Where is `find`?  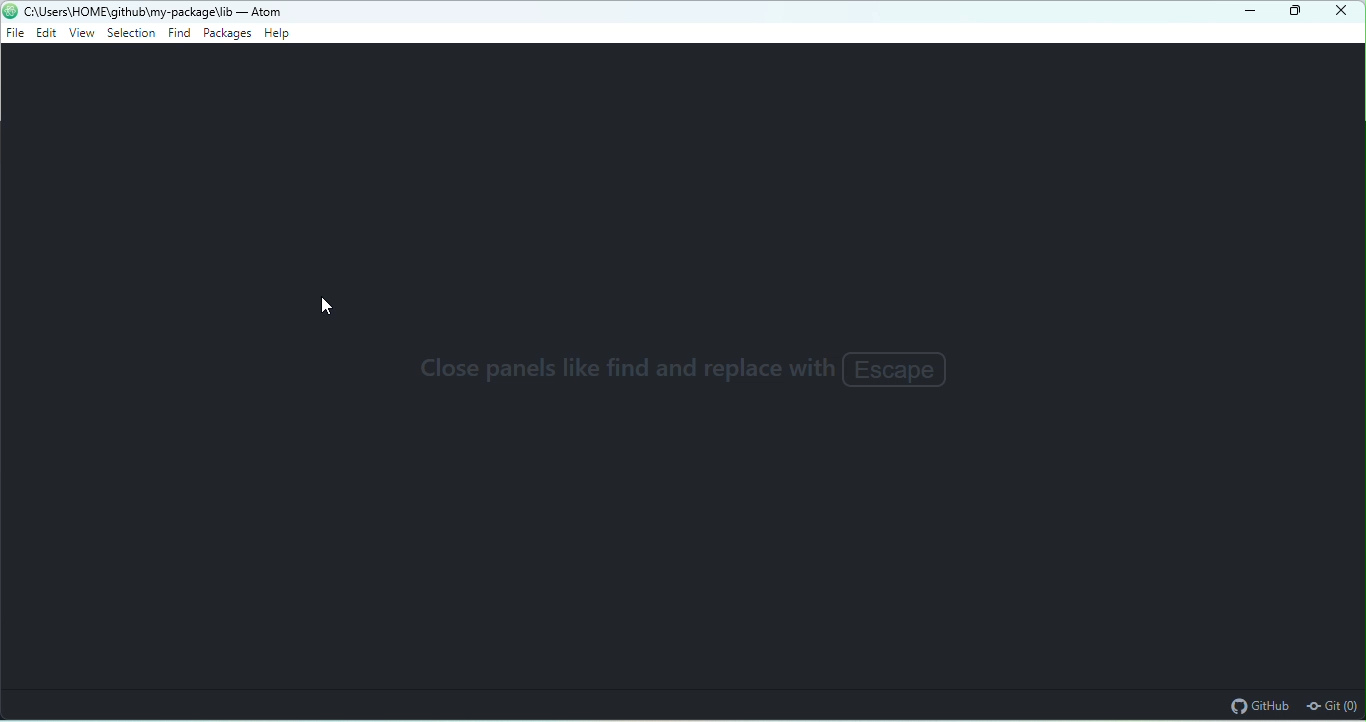
find is located at coordinates (179, 33).